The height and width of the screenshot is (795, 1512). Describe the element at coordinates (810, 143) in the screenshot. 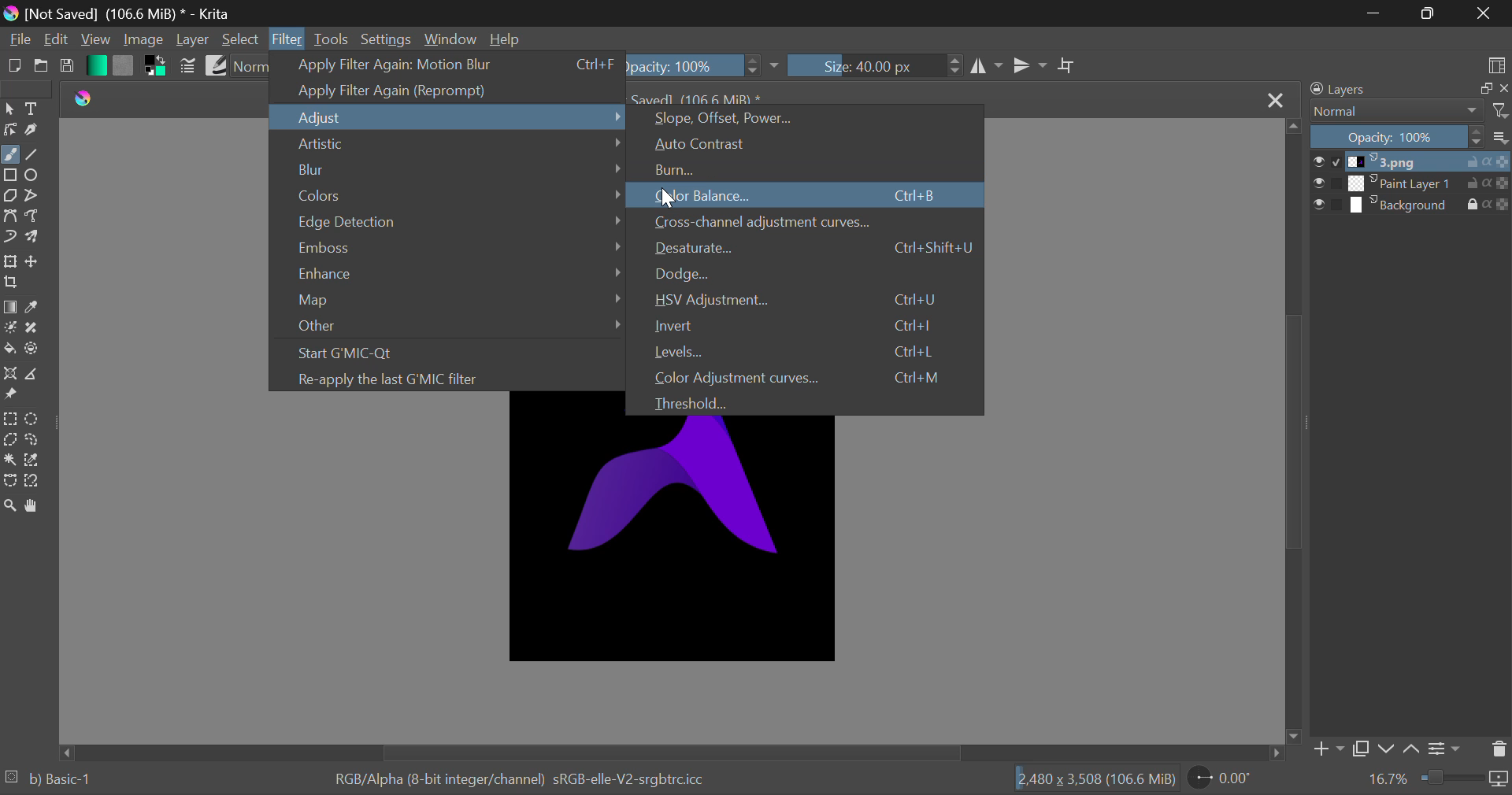

I see `Auto Contrast` at that location.